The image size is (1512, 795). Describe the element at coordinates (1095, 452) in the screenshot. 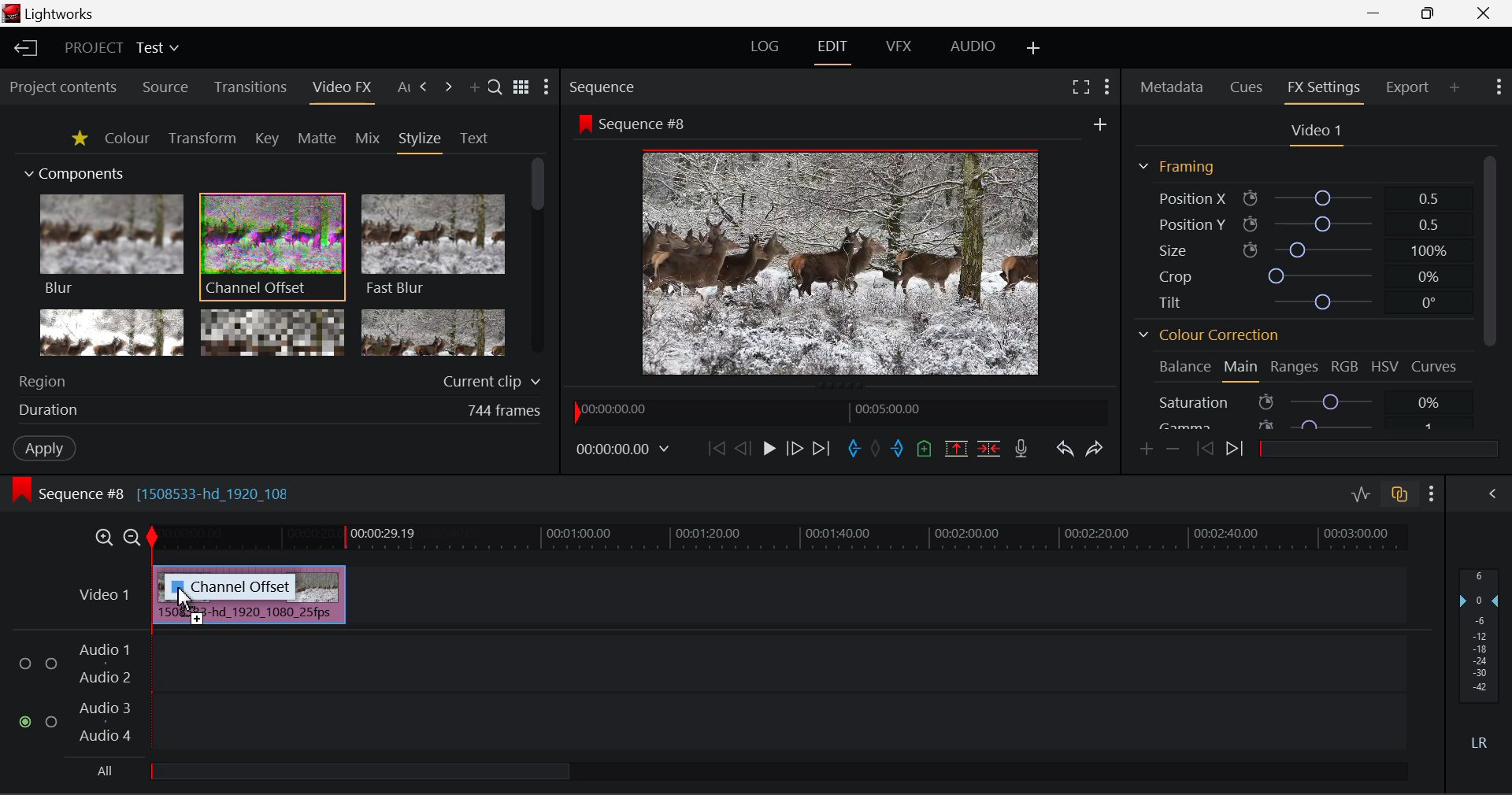

I see `Redo` at that location.